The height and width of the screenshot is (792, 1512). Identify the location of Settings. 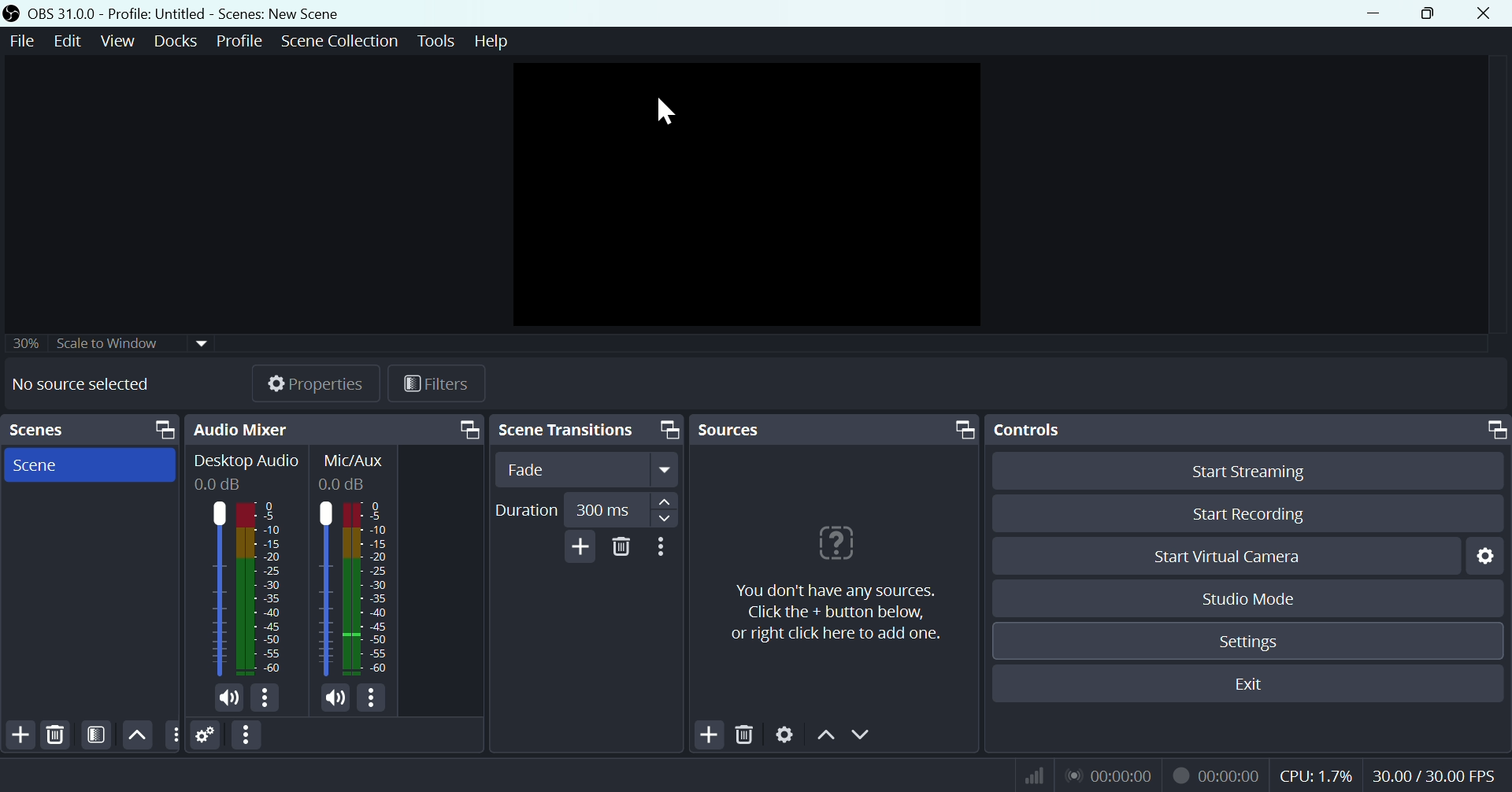
(1484, 553).